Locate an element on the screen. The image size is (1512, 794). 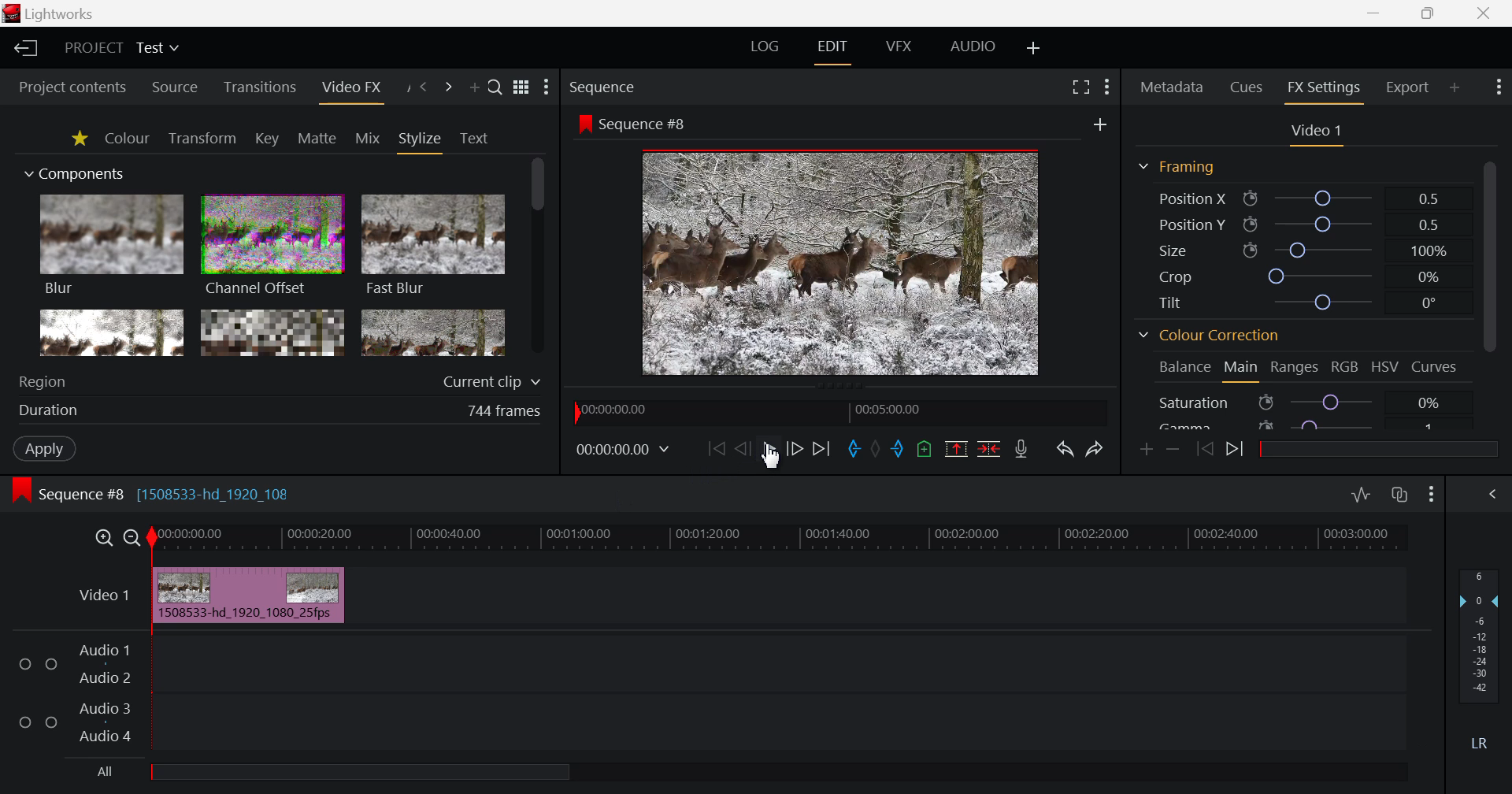
Position X is located at coordinates (1300, 198).